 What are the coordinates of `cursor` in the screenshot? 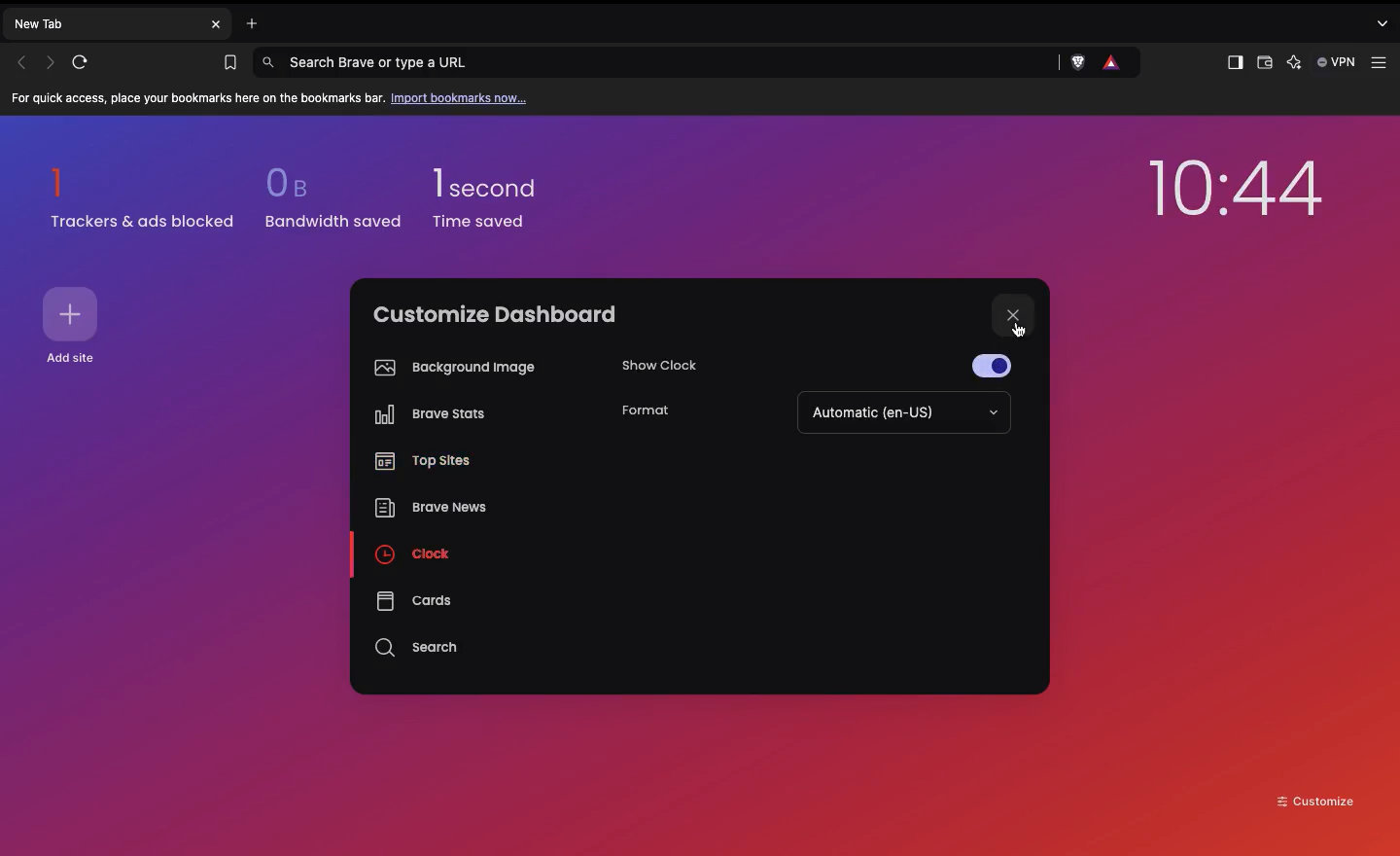 It's located at (1020, 330).